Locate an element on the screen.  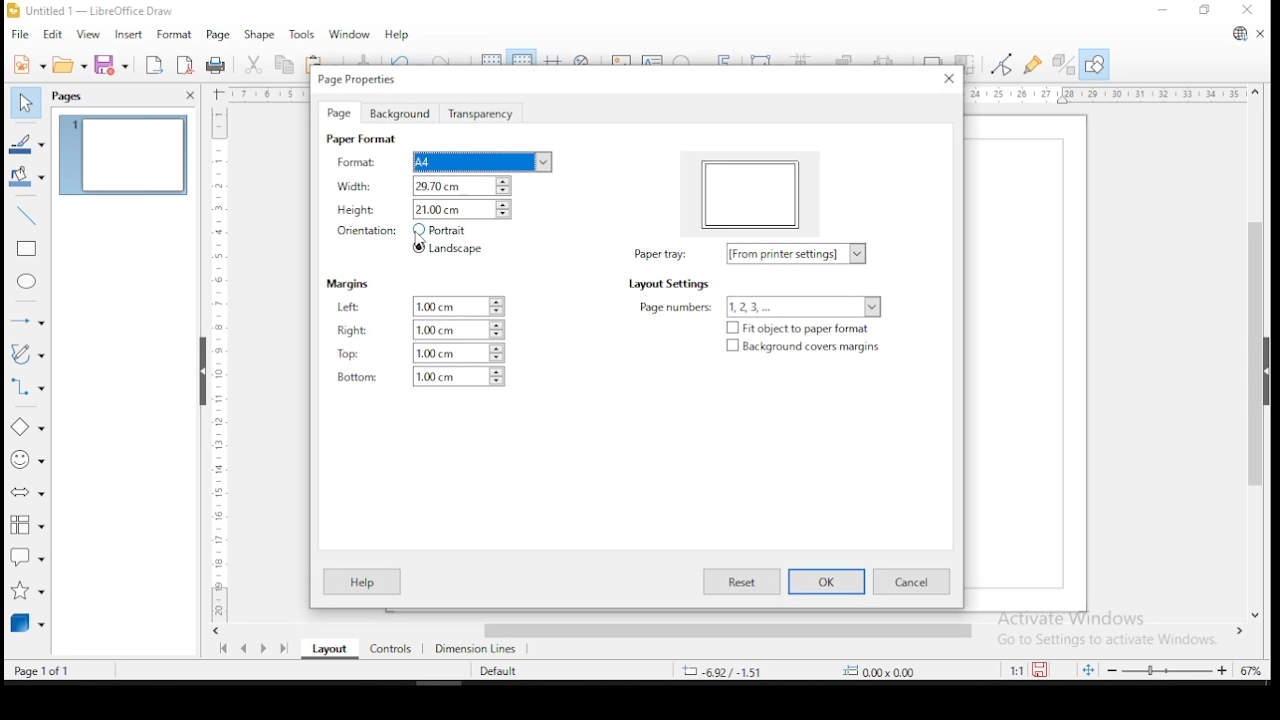
left margin settings is located at coordinates (420, 307).